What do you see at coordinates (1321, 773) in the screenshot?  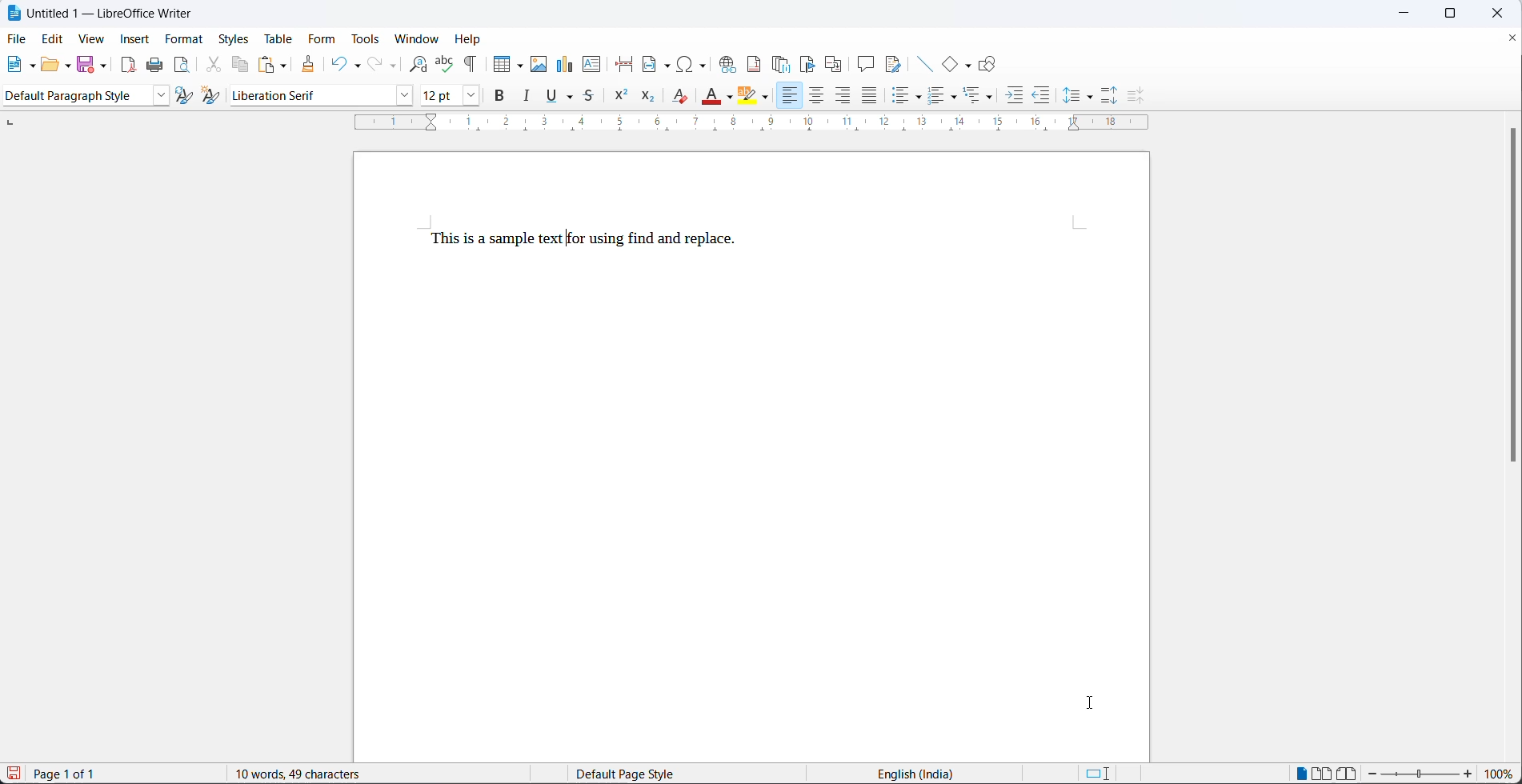 I see `multipage view` at bounding box center [1321, 773].